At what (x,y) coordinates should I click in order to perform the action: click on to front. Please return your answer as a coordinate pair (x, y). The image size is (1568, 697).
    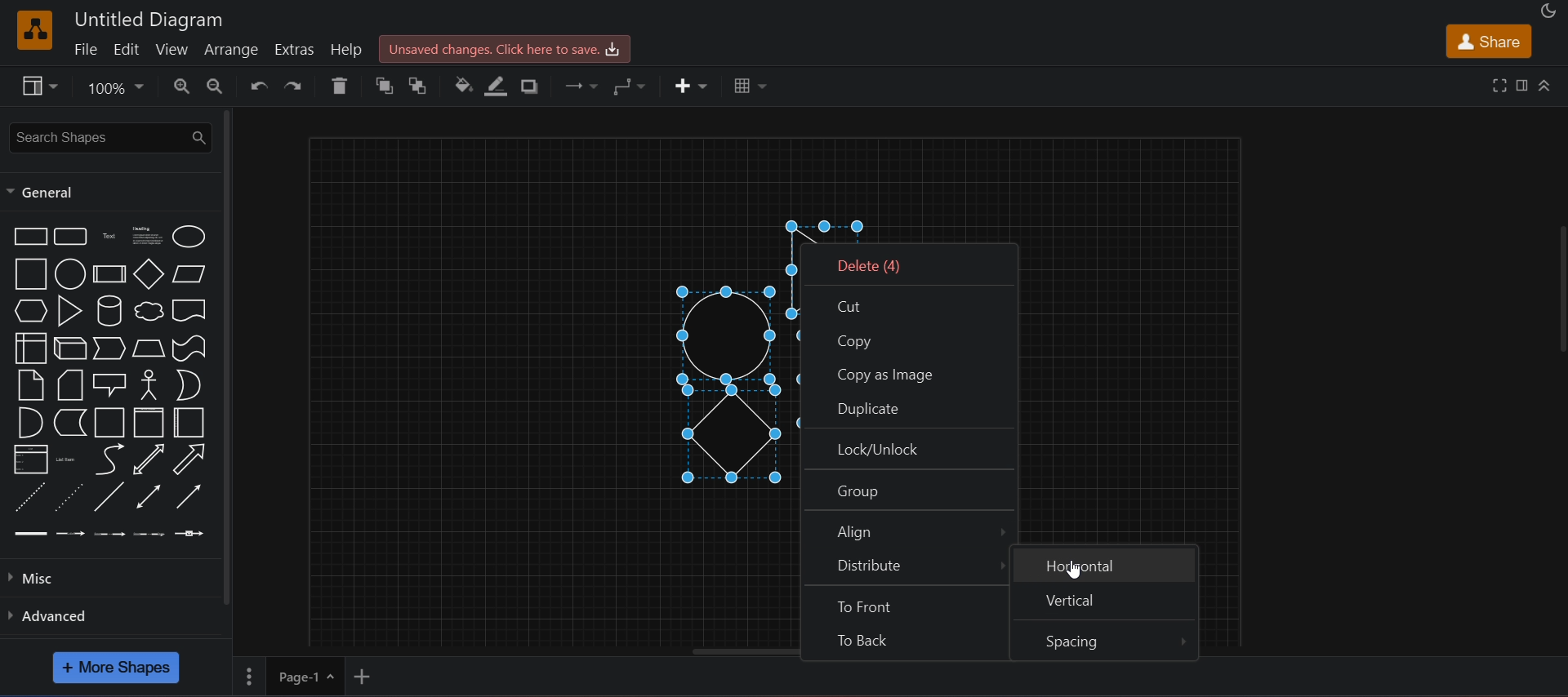
    Looking at the image, I should click on (905, 605).